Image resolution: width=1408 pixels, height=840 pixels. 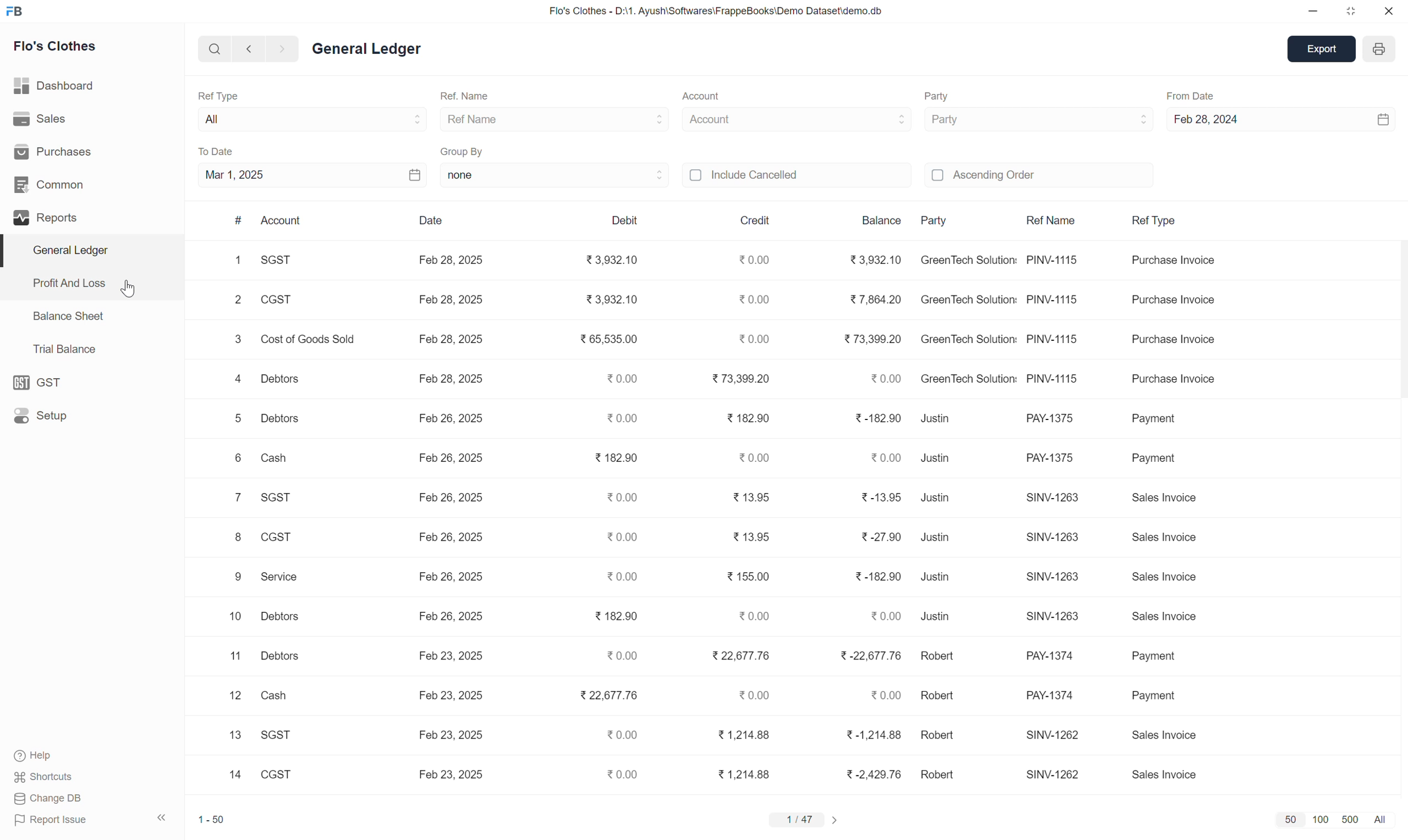 I want to click on Cash, so click(x=272, y=697).